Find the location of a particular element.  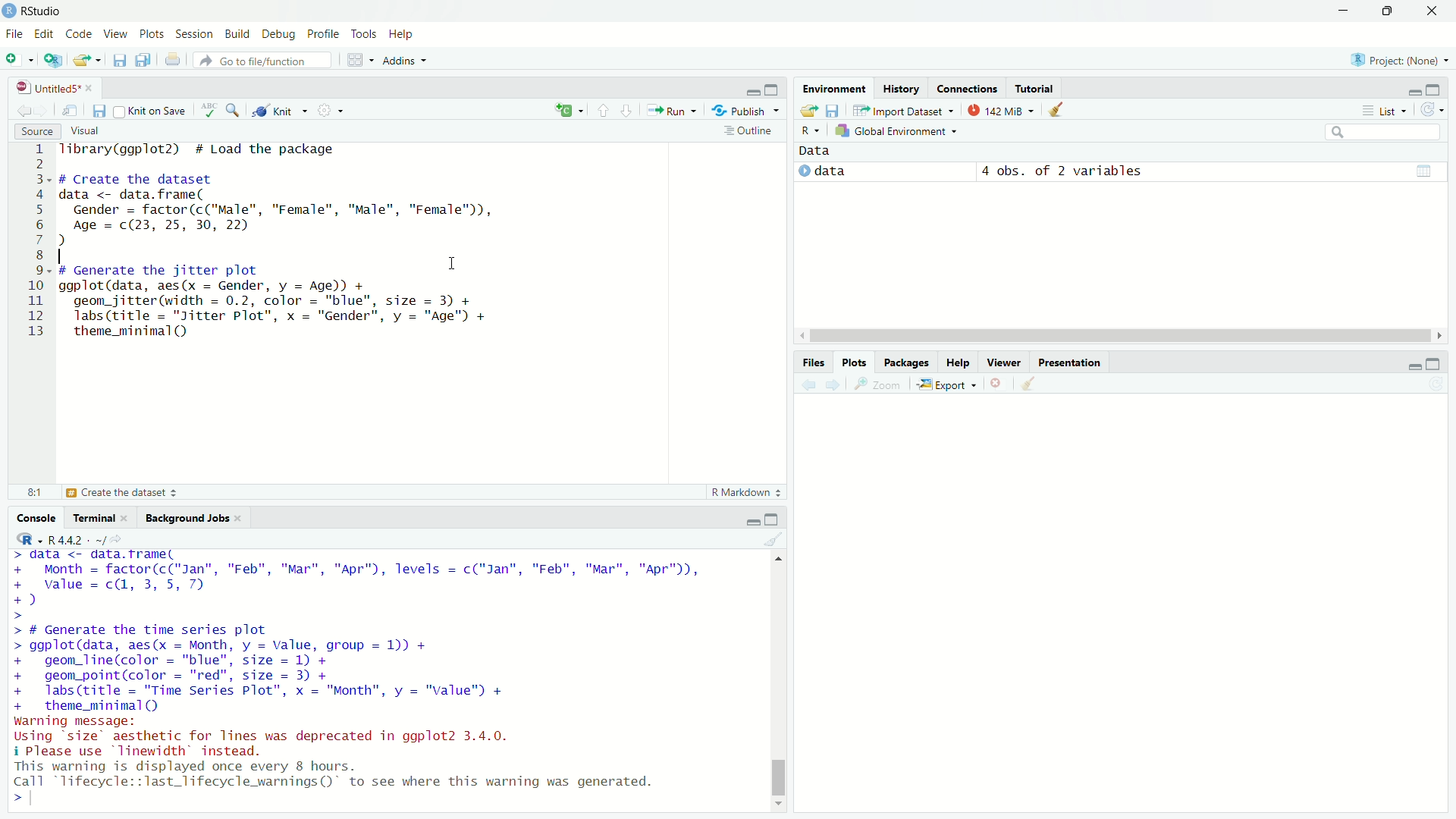

R markdown is located at coordinates (746, 491).